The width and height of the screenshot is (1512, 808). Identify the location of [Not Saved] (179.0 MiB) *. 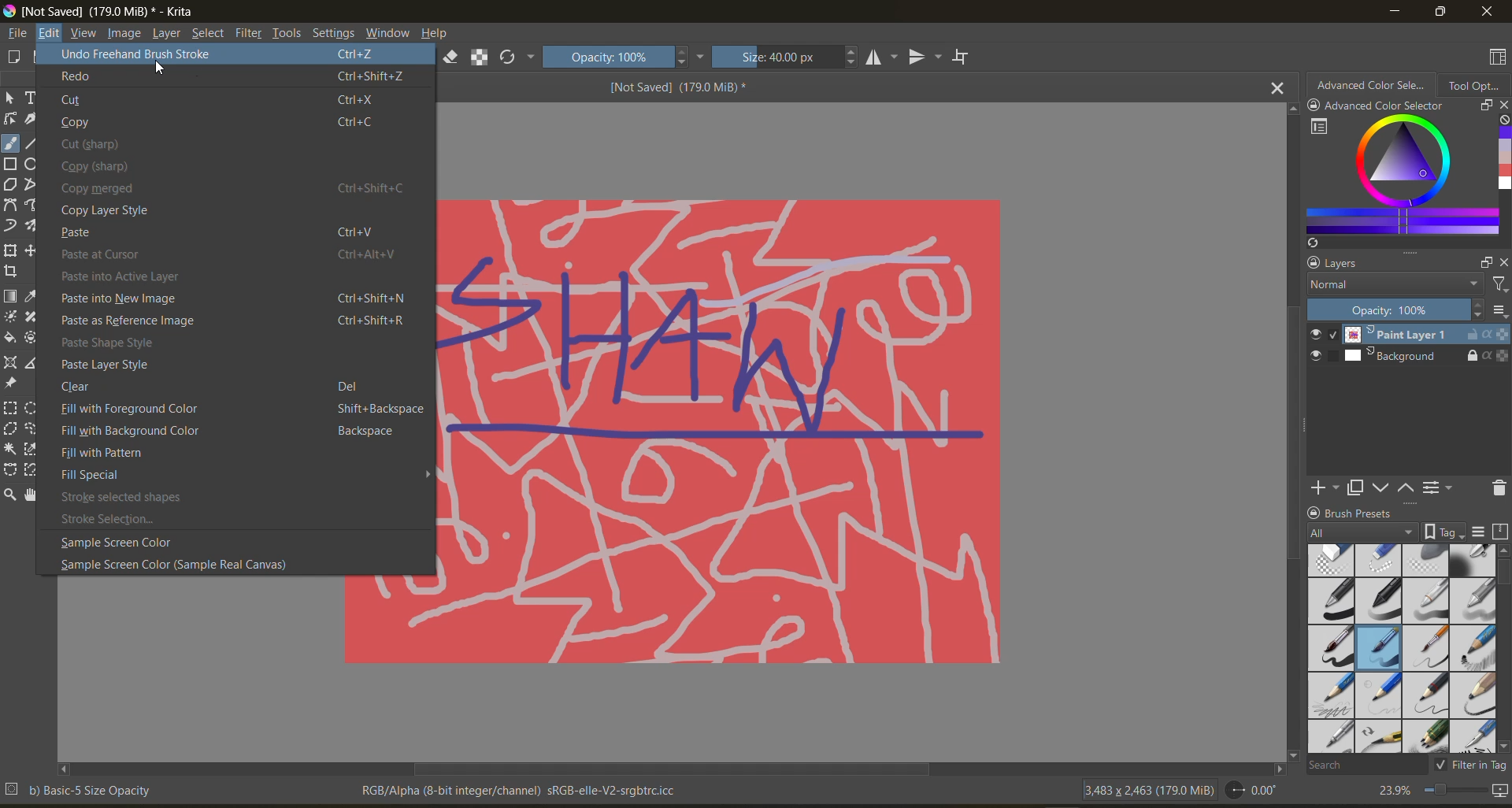
(677, 87).